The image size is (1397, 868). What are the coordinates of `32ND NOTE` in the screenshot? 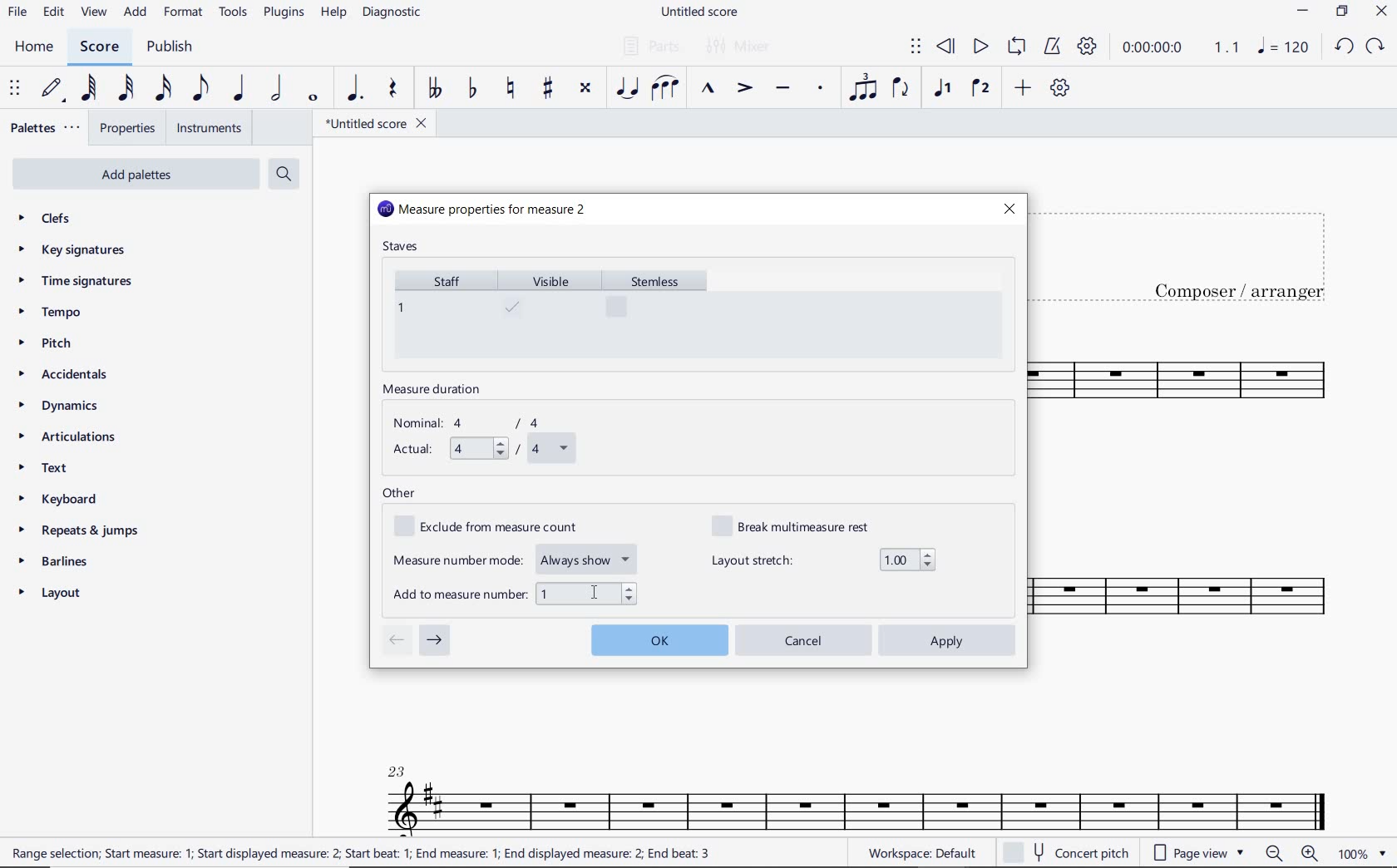 It's located at (126, 89).